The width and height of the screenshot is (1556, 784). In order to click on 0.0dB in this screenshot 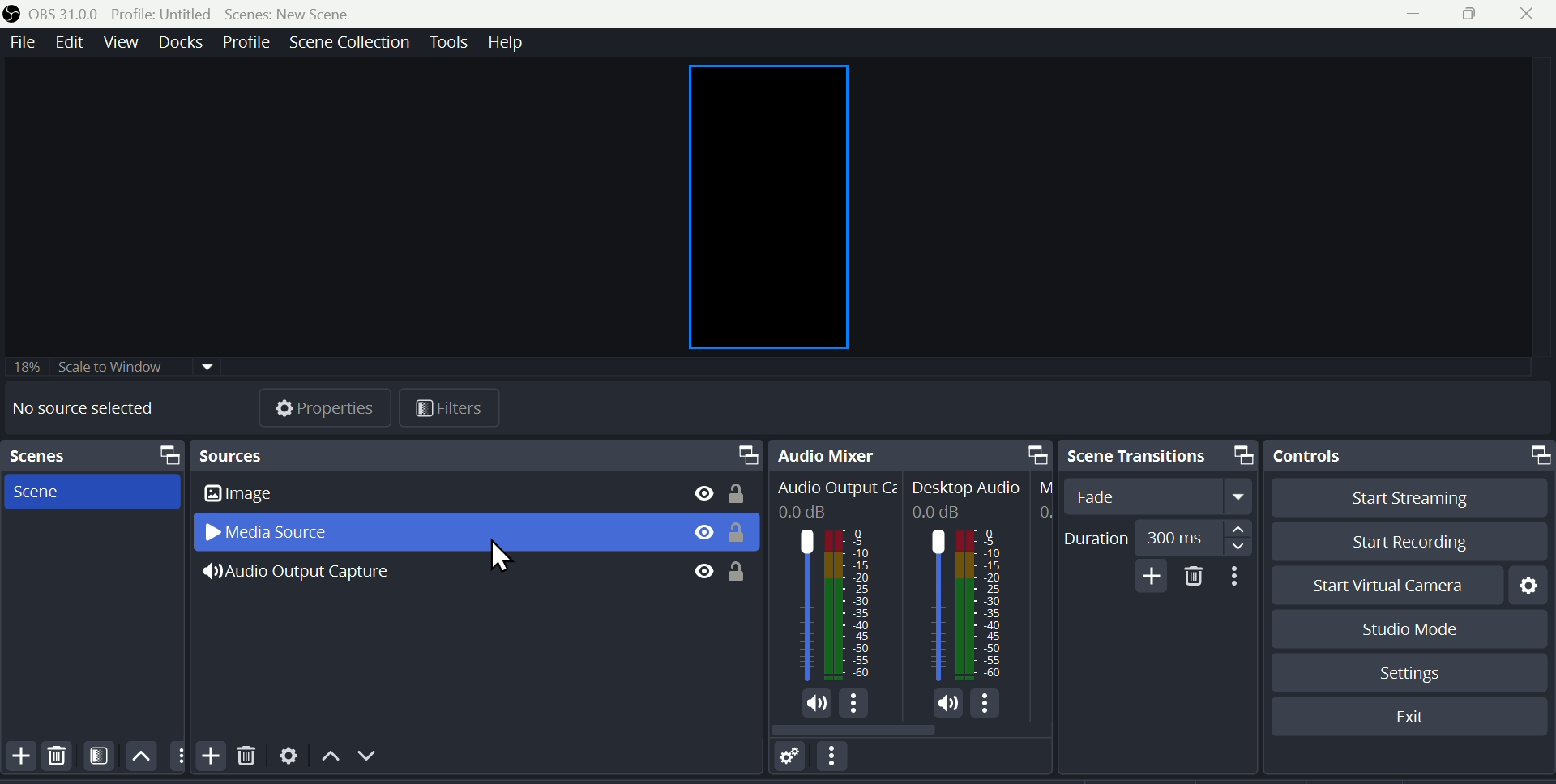, I will do `click(806, 513)`.